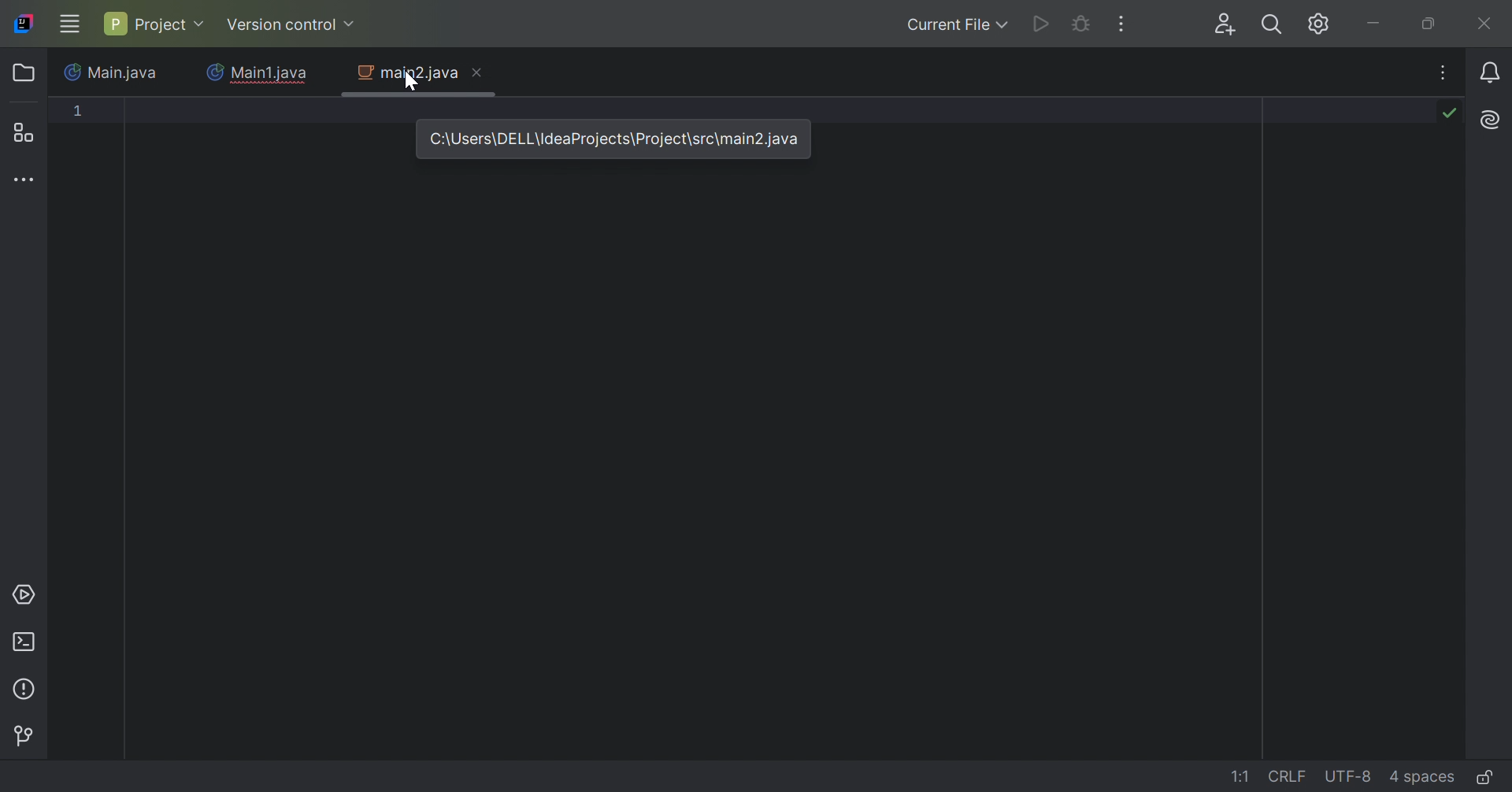 Image resolution: width=1512 pixels, height=792 pixels. I want to click on Terminal, so click(28, 643).